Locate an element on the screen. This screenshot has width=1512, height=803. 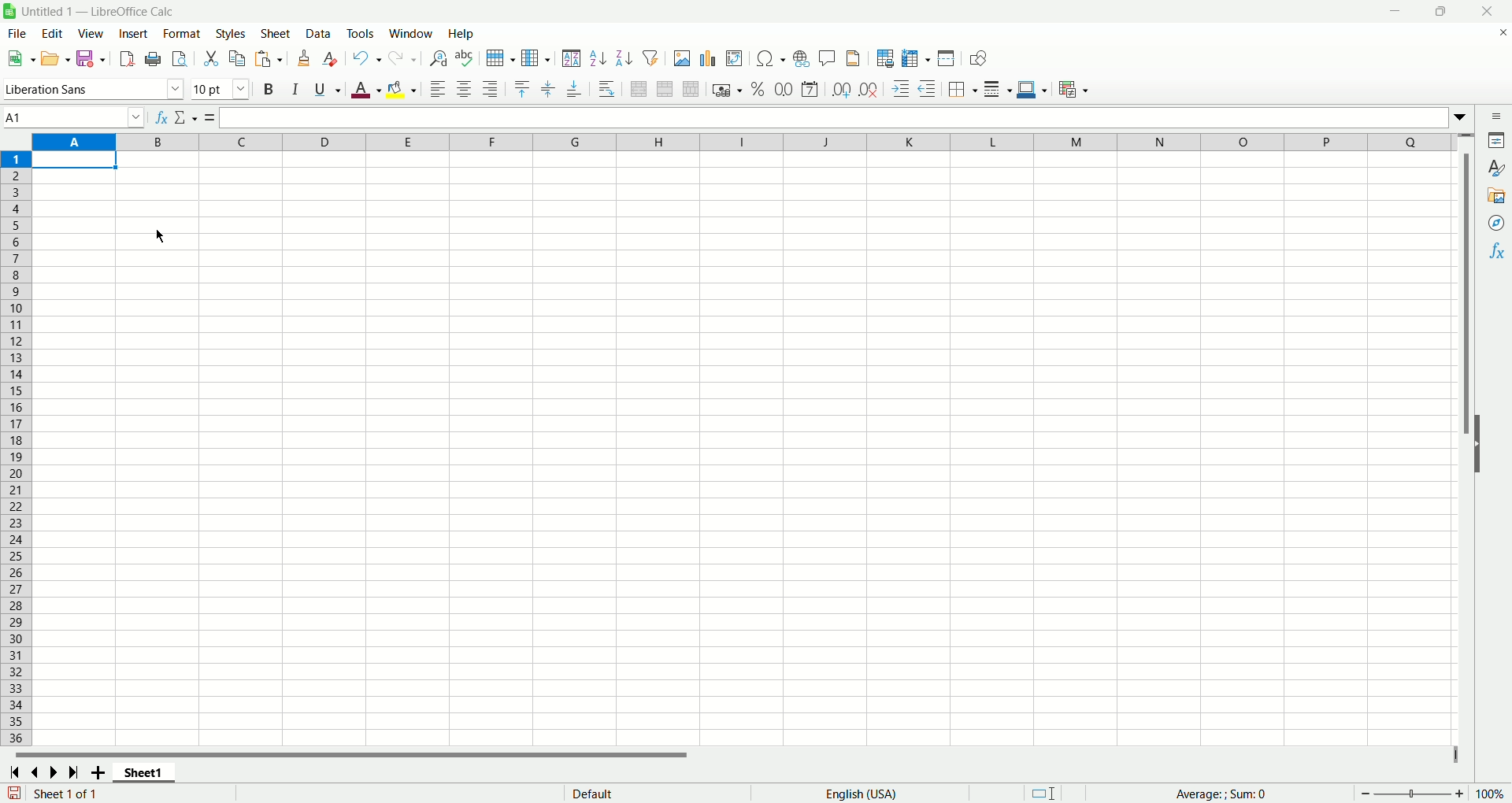
redo is located at coordinates (402, 58).